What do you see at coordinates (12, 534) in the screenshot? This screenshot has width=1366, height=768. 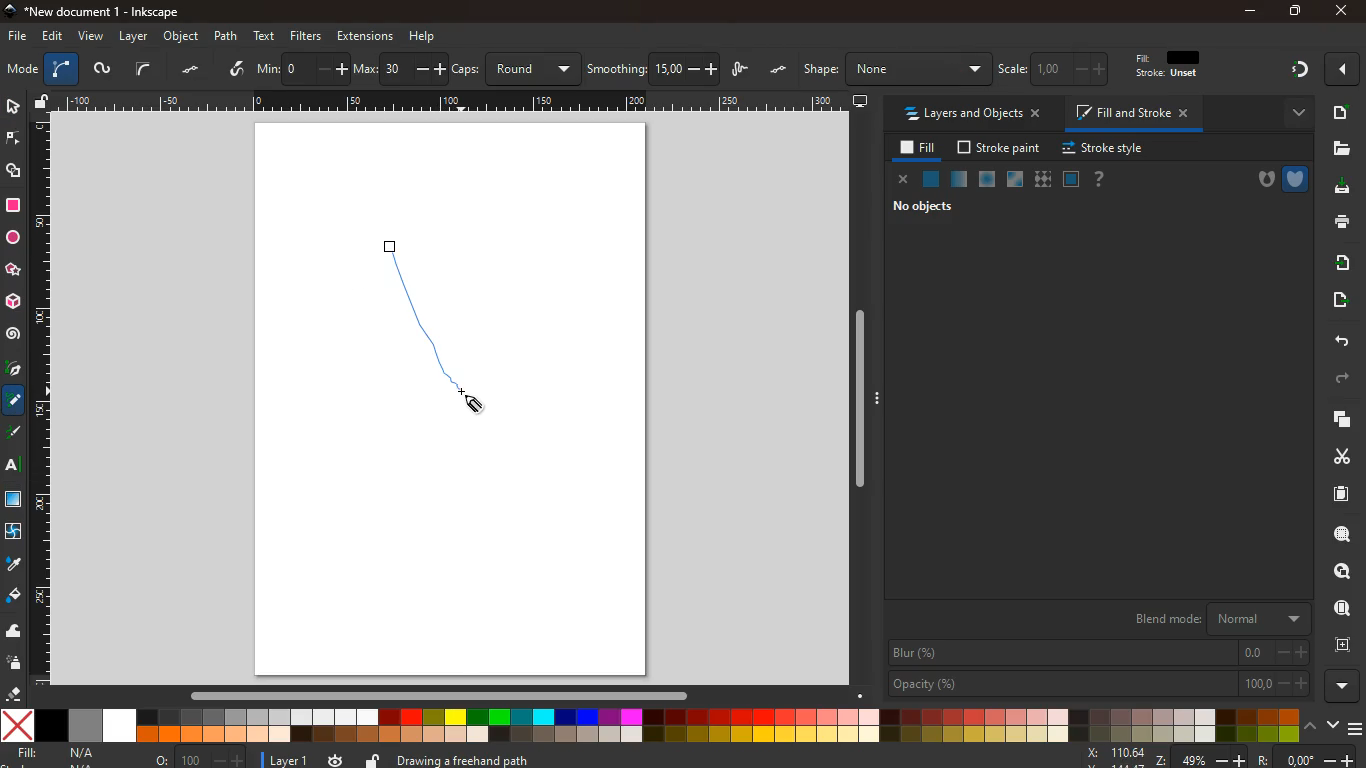 I see `twist` at bounding box center [12, 534].